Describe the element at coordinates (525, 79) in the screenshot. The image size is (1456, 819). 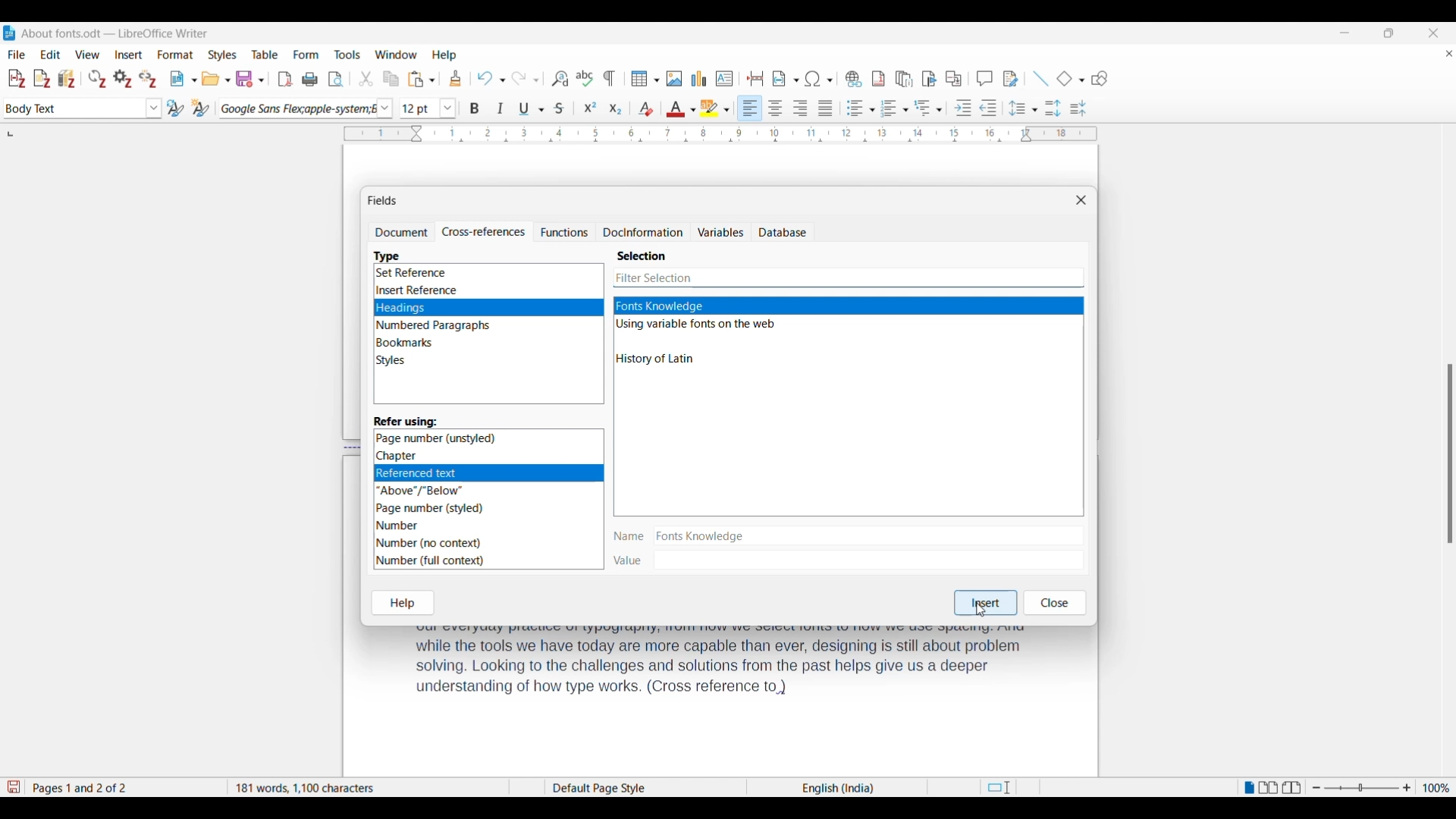
I see `Redo options` at that location.